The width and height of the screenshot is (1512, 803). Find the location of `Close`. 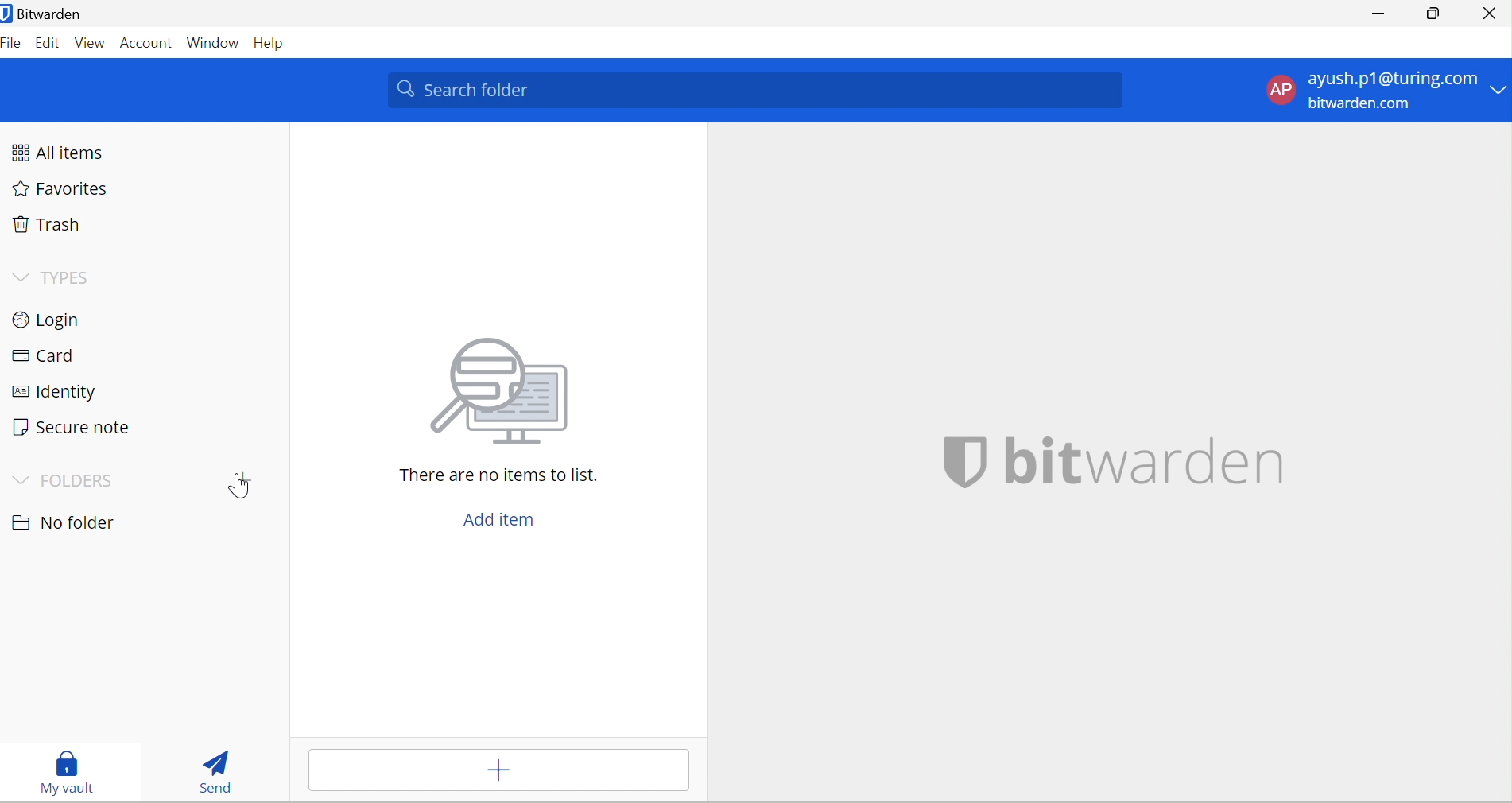

Close is located at coordinates (1491, 14).